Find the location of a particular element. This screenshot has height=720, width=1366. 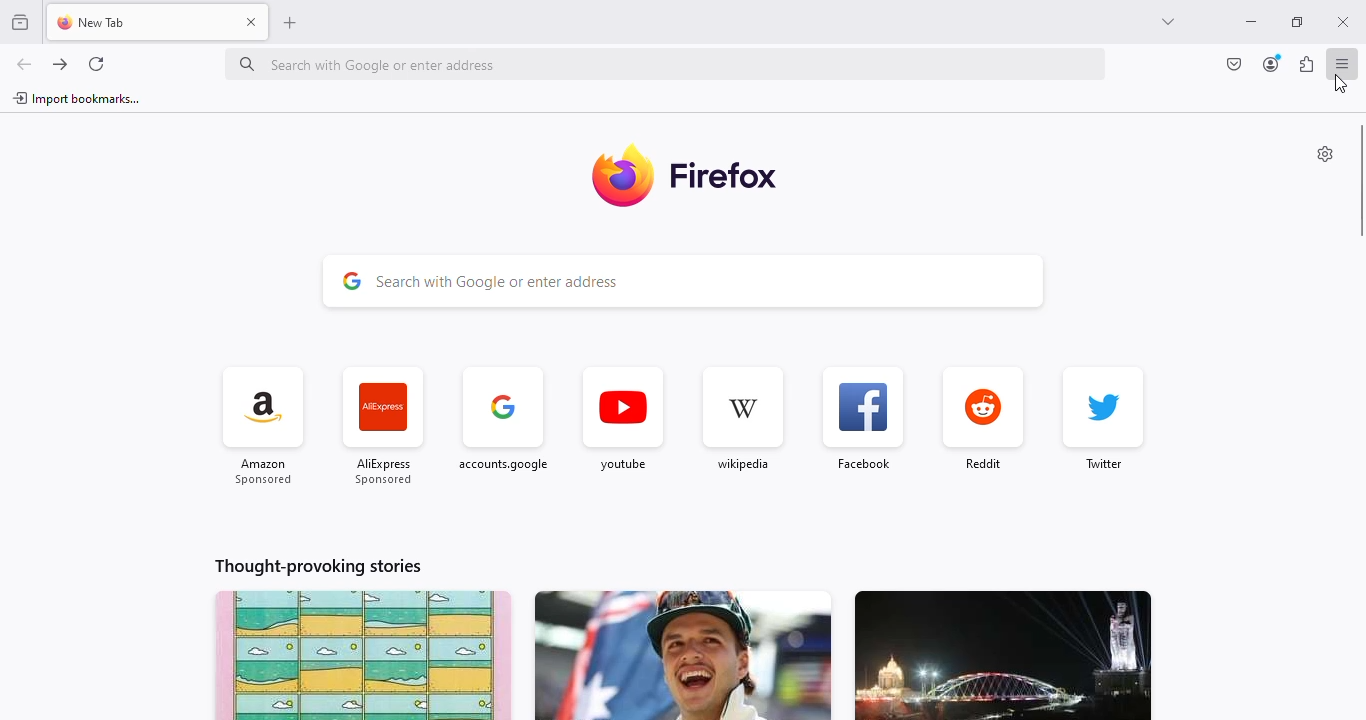

search is located at coordinates (666, 63).